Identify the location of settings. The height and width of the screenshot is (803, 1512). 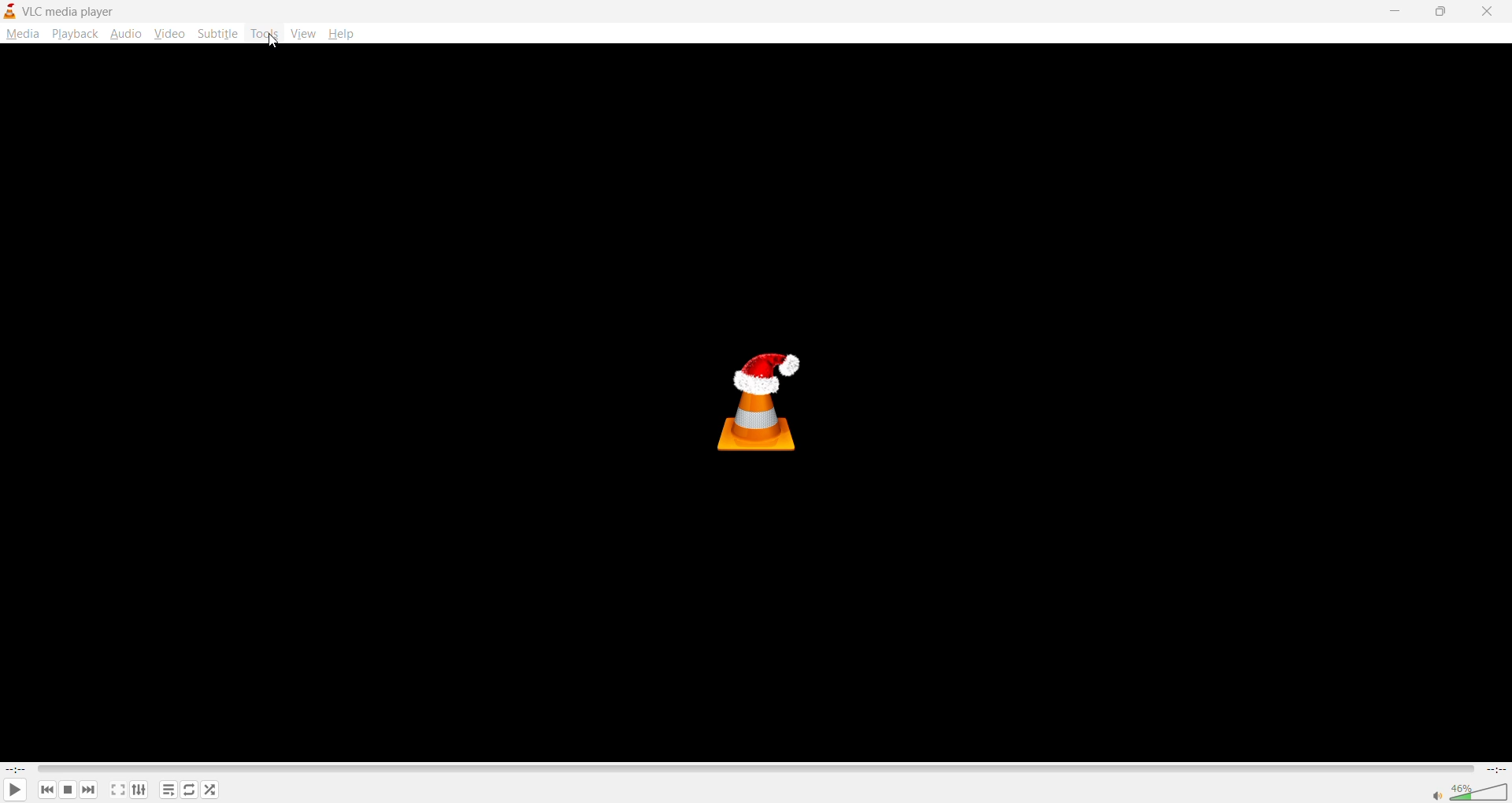
(136, 791).